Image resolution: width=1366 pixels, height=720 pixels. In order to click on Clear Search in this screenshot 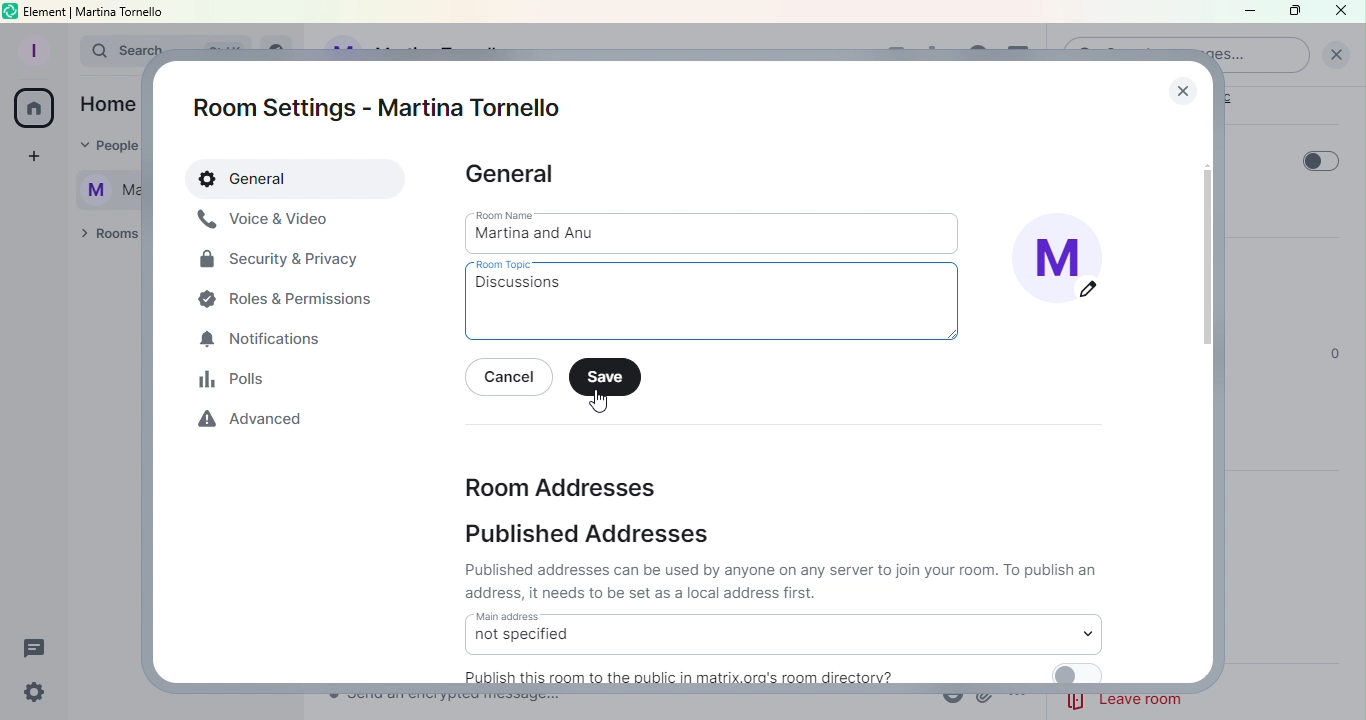, I will do `click(1336, 55)`.